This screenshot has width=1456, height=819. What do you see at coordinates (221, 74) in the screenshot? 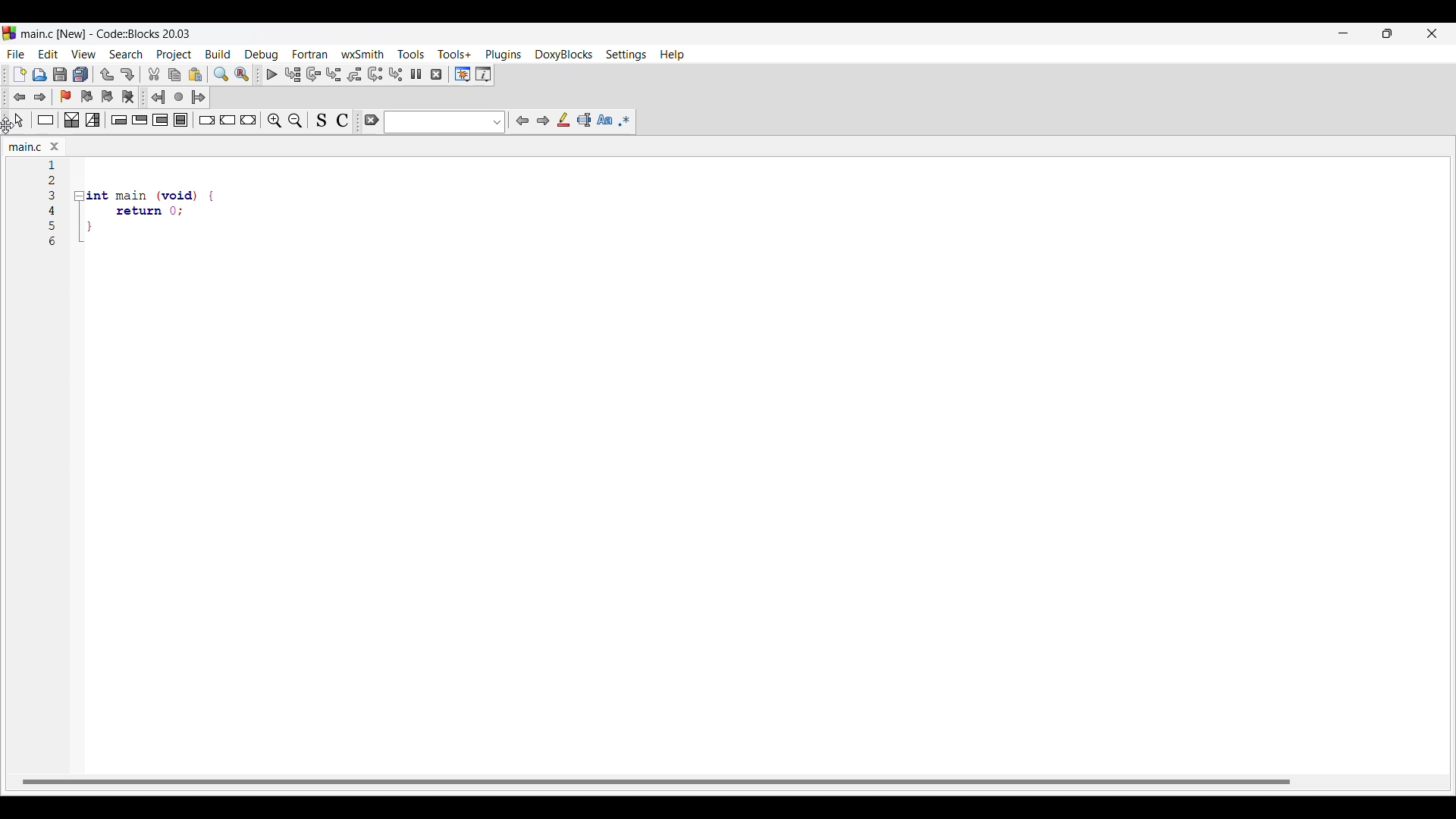
I see `Find` at bounding box center [221, 74].